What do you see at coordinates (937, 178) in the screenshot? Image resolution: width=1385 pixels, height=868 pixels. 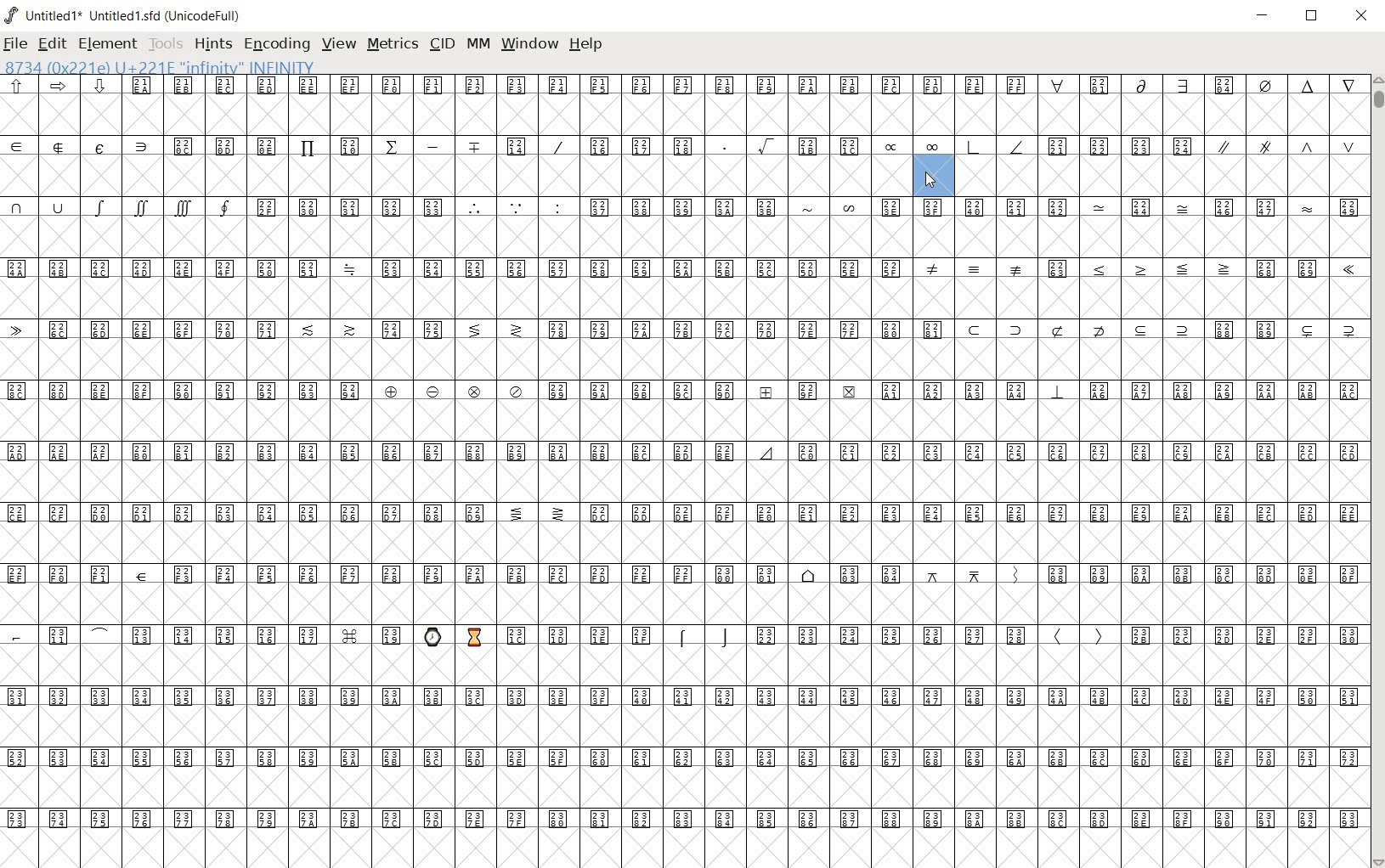 I see `cursor` at bounding box center [937, 178].